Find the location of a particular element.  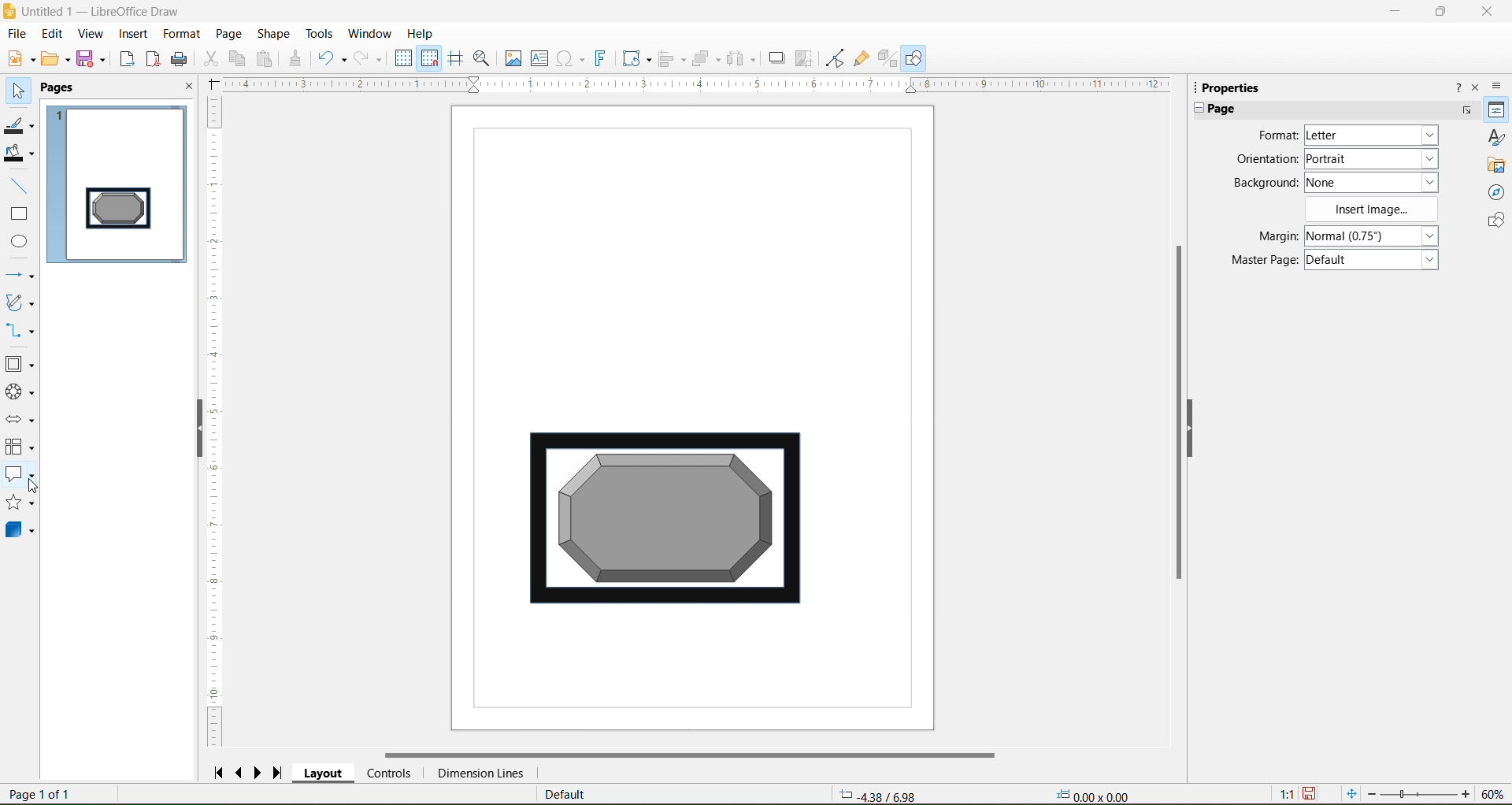

Ruler is located at coordinates (217, 422).